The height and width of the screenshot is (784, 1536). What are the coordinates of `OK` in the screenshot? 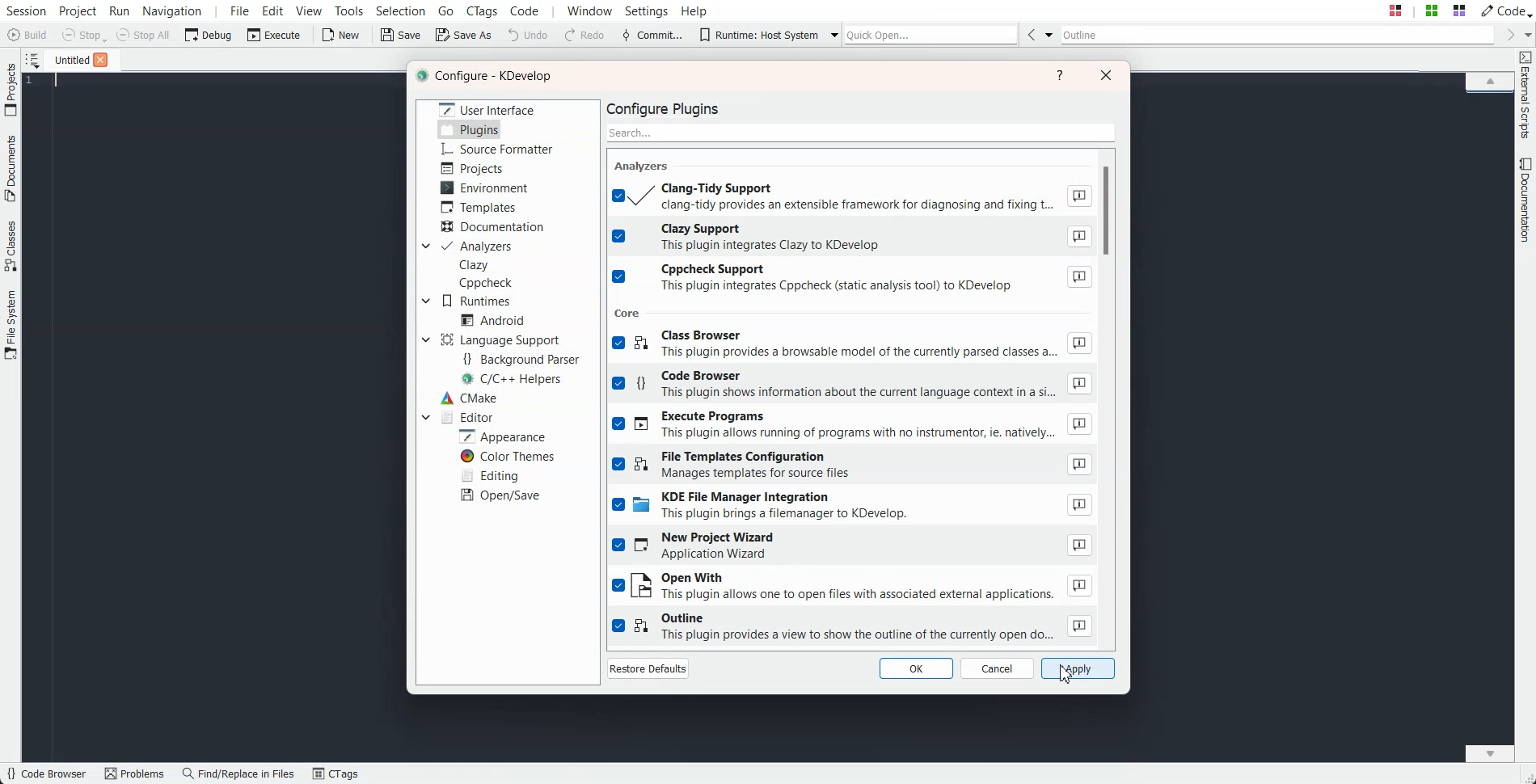 It's located at (915, 668).